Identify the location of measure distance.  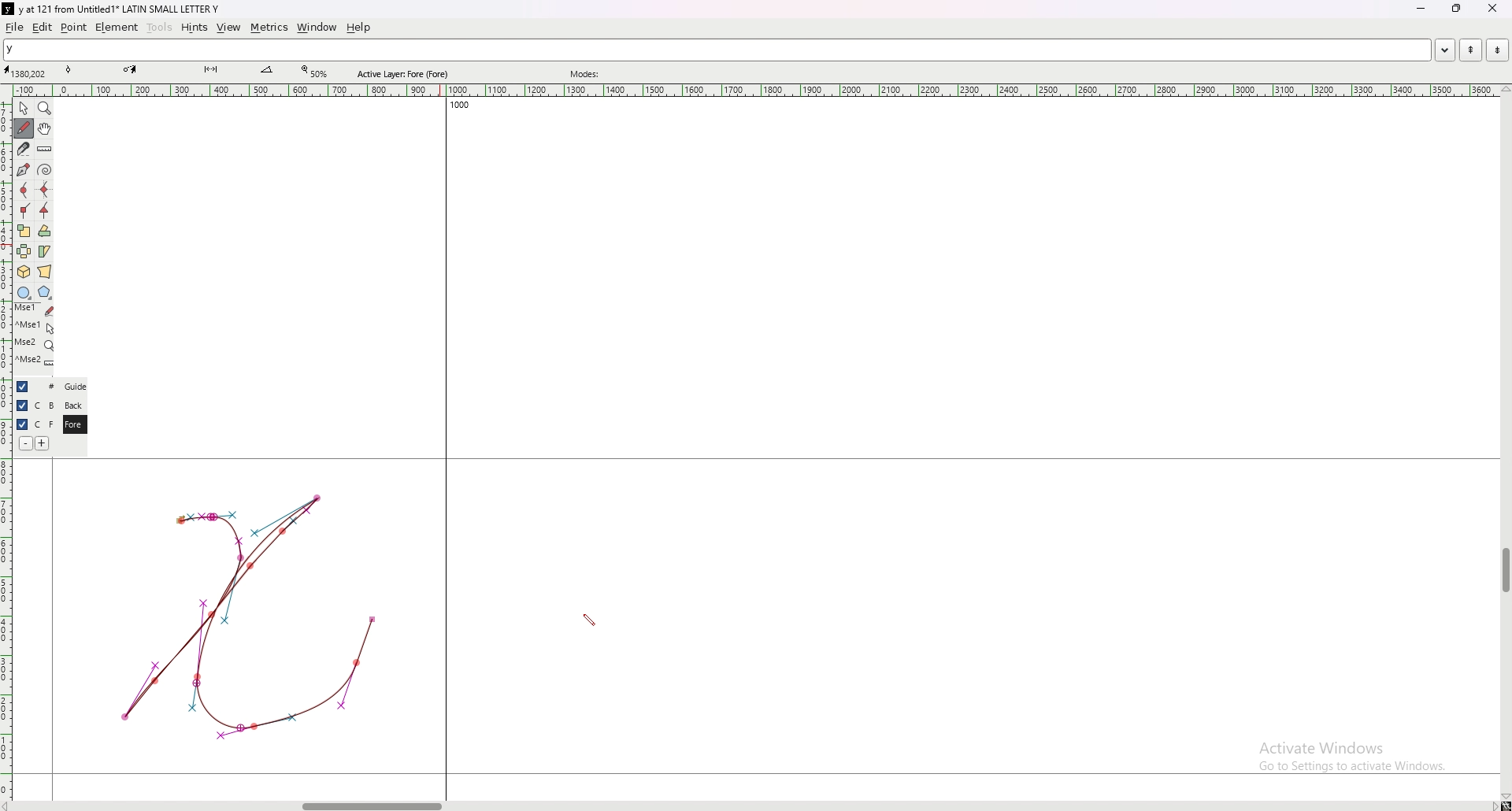
(45, 150).